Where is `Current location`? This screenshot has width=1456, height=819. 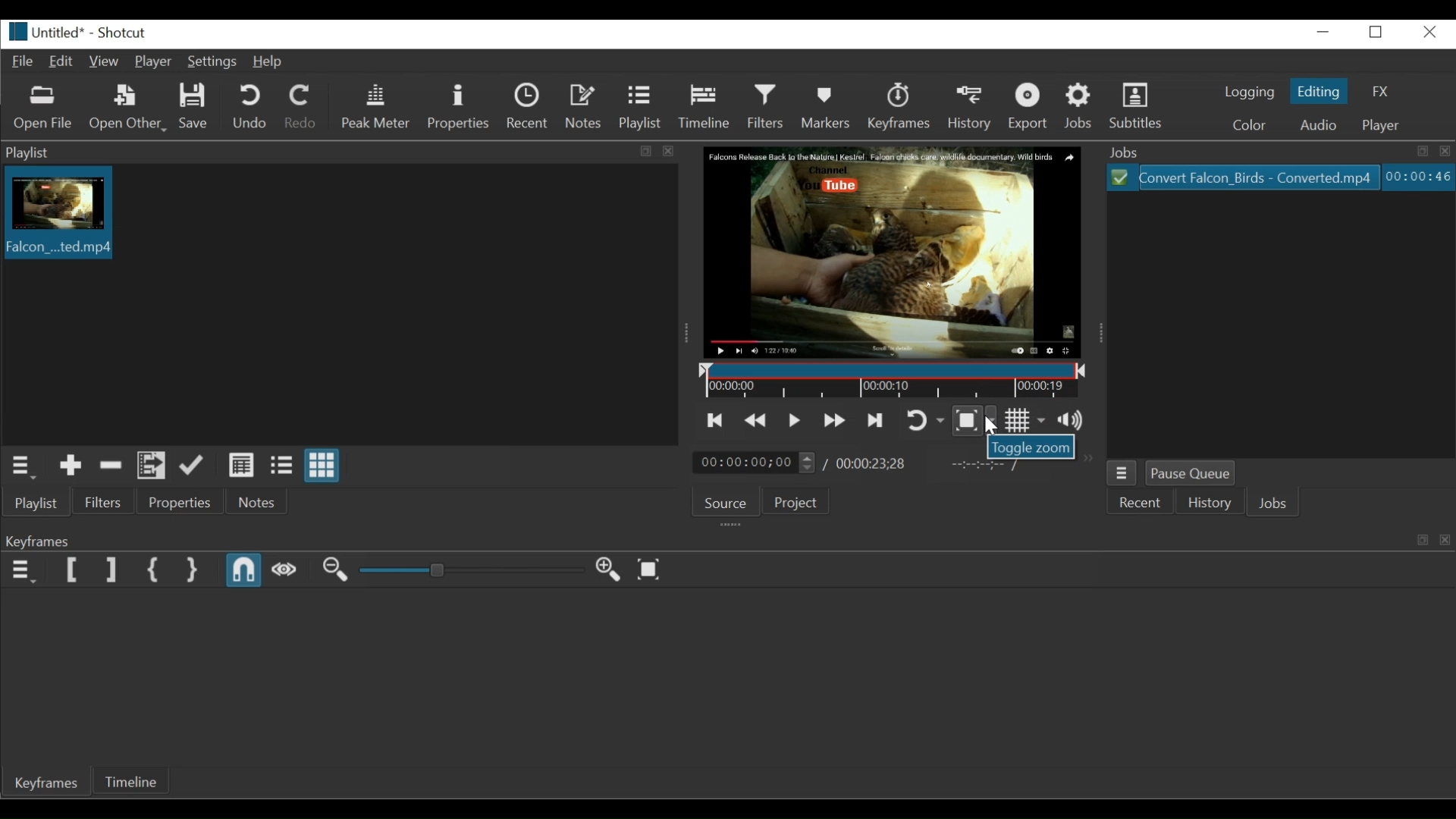 Current location is located at coordinates (754, 462).